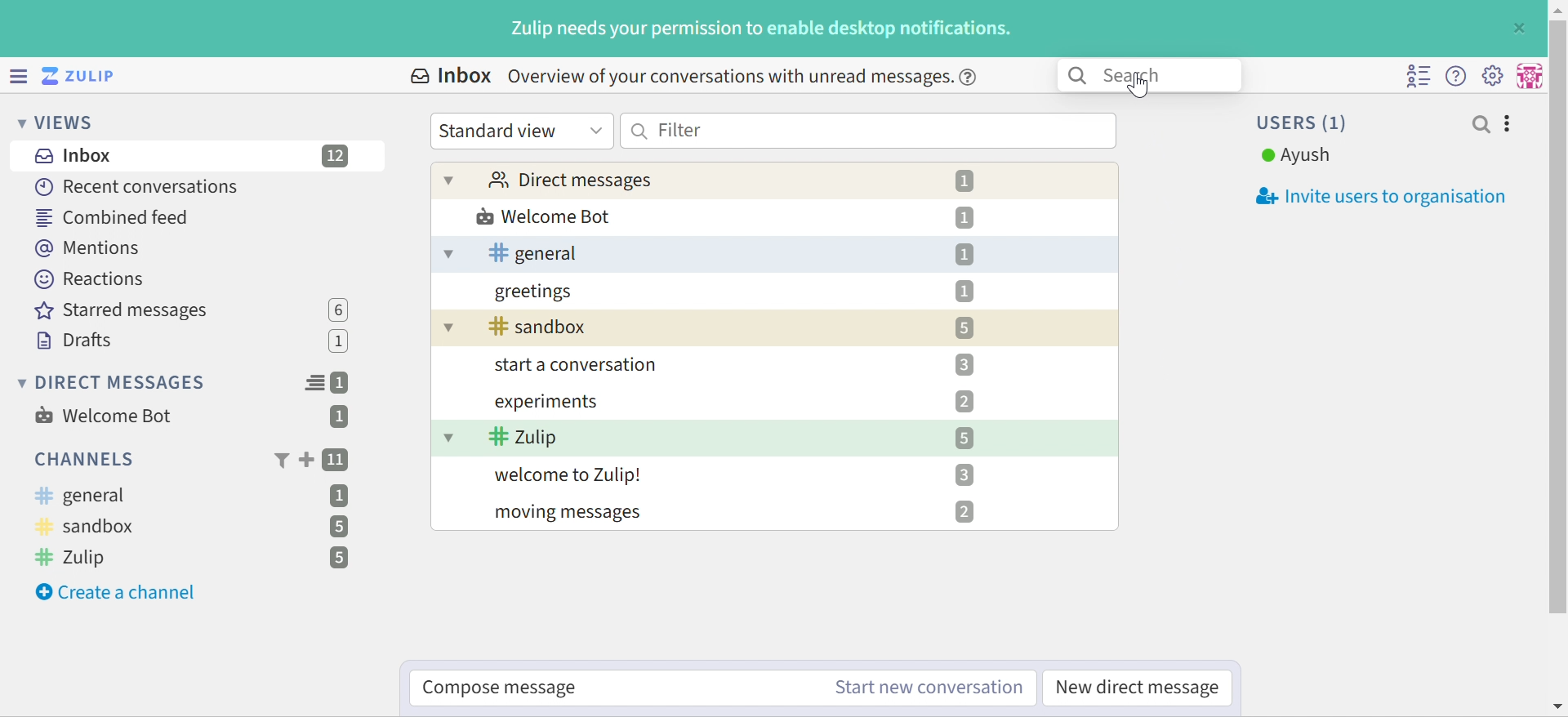  Describe the element at coordinates (74, 341) in the screenshot. I see `Drafts` at that location.